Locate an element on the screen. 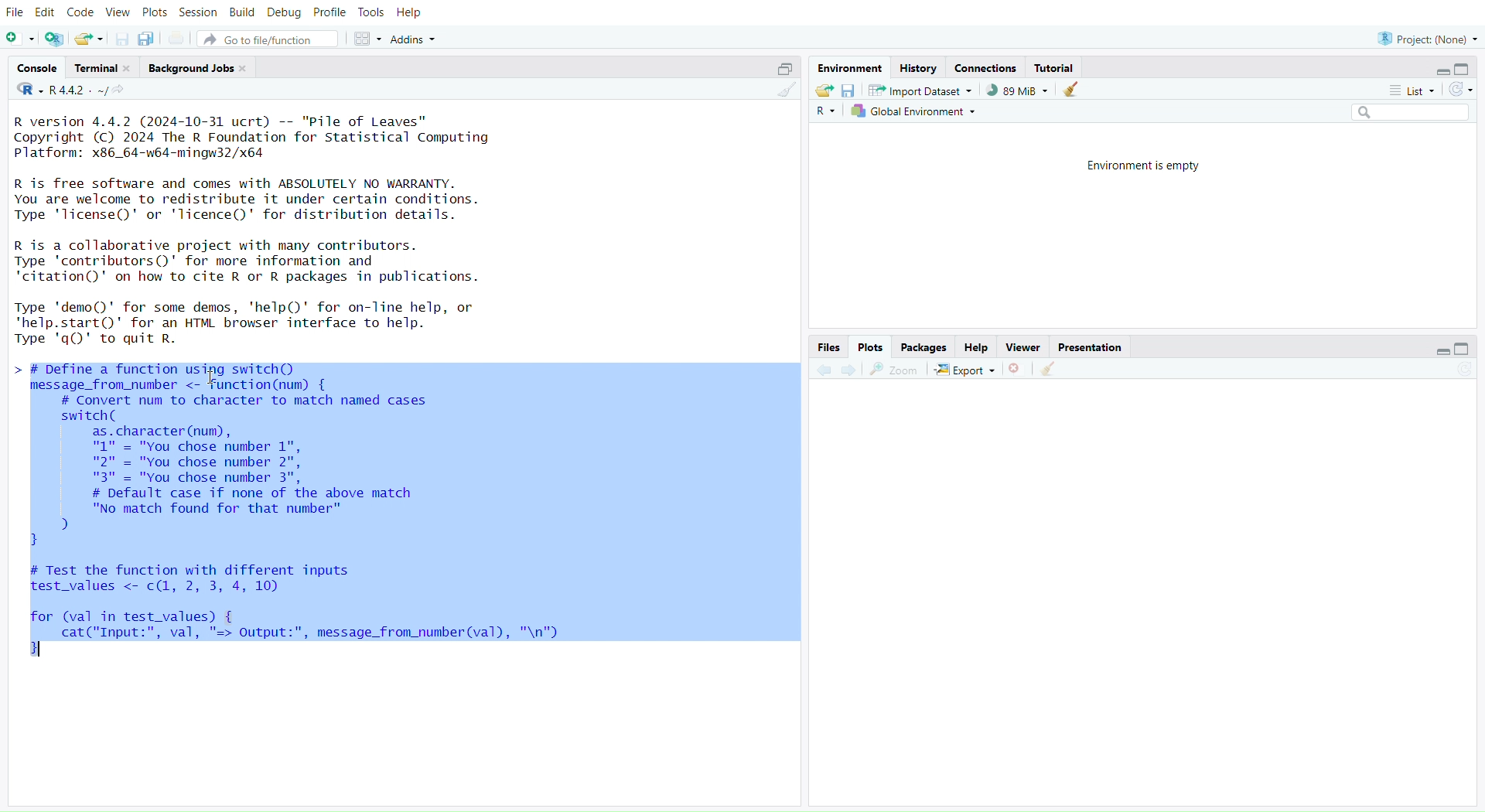 This screenshot has width=1485, height=812. Build is located at coordinates (244, 12).